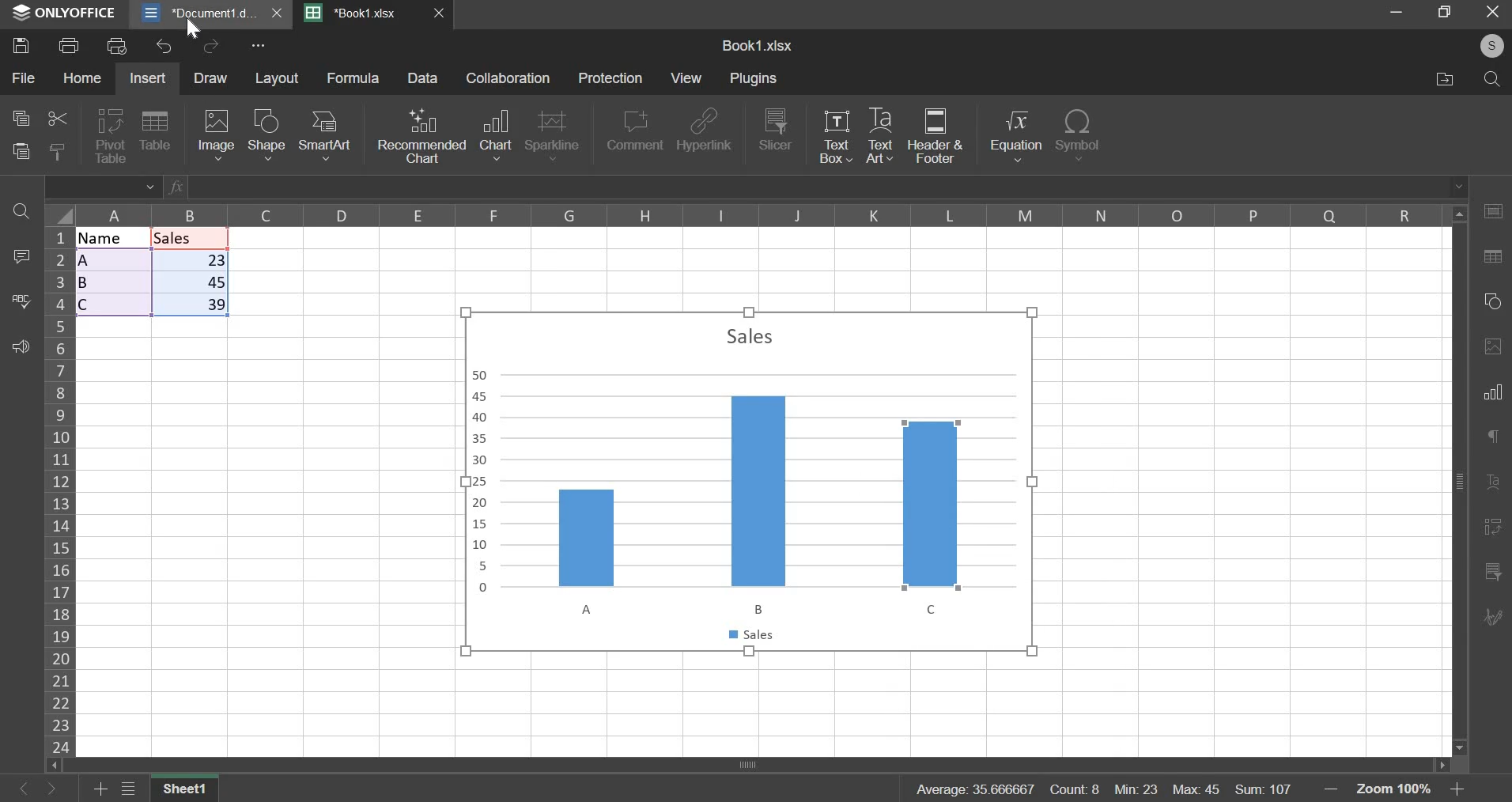 The image size is (1512, 802). Describe the element at coordinates (217, 134) in the screenshot. I see `image` at that location.